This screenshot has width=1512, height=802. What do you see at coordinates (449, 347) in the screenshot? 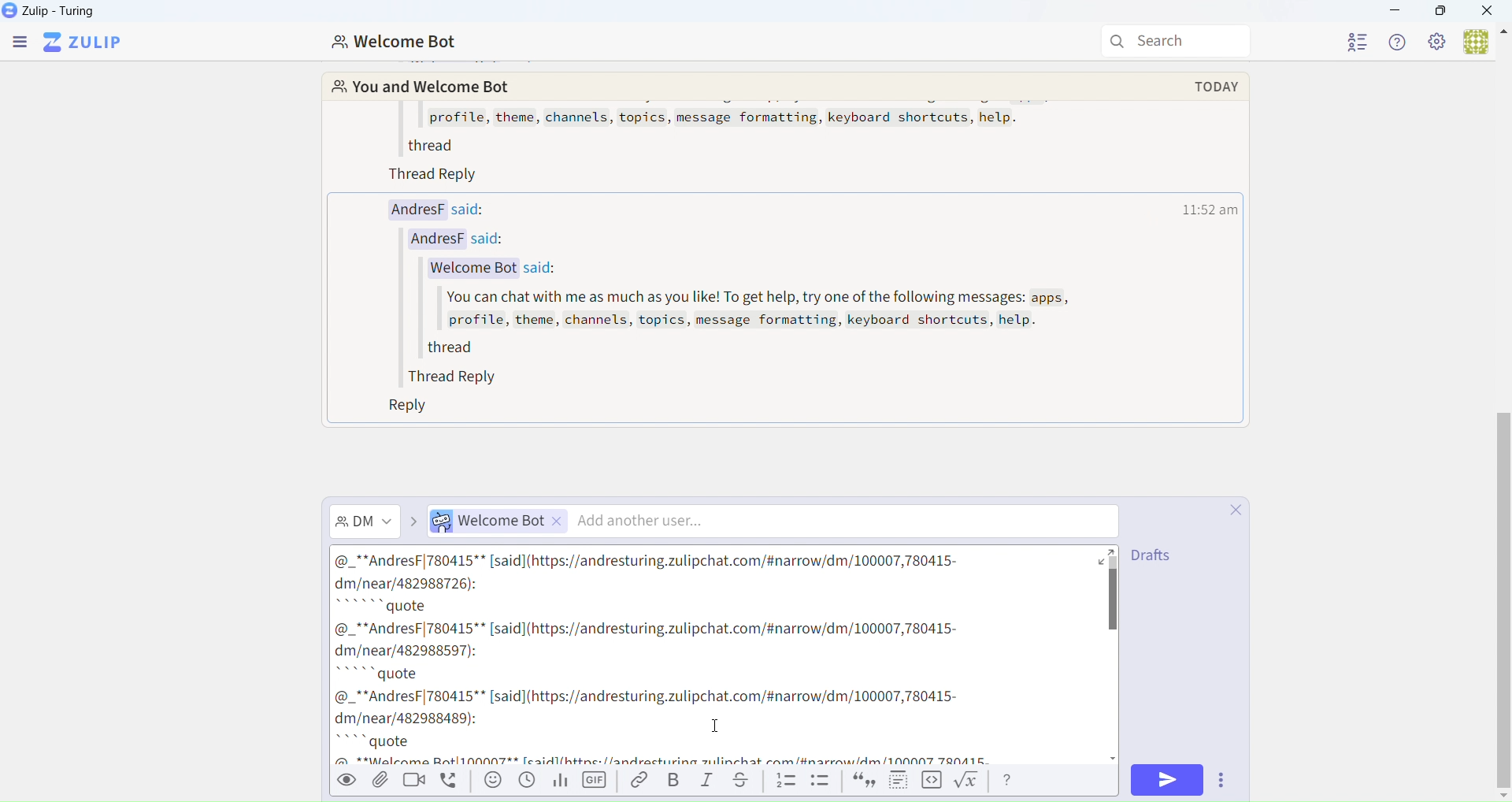
I see `thread` at bounding box center [449, 347].